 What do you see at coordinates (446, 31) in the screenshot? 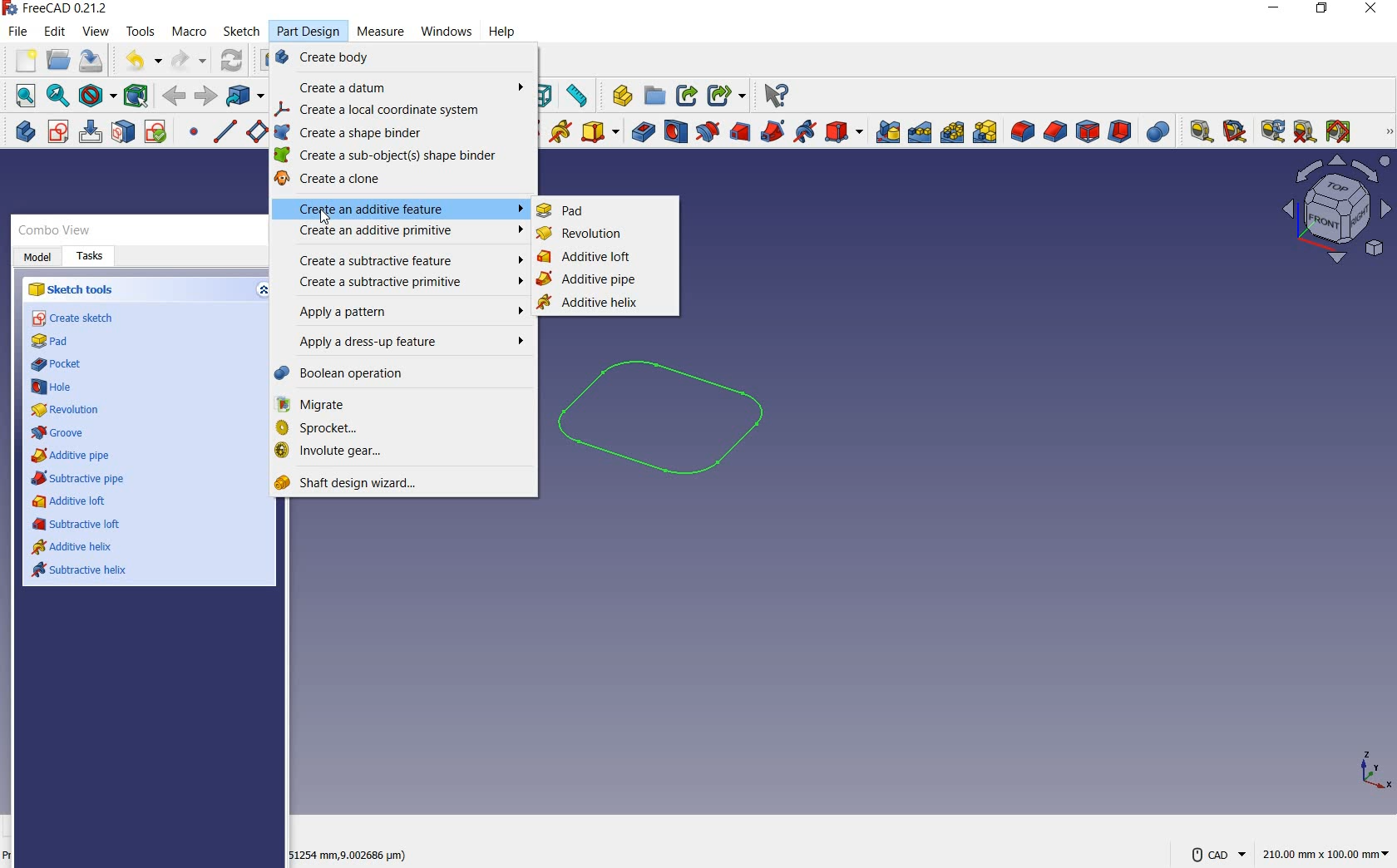
I see `Cursor` at bounding box center [446, 31].